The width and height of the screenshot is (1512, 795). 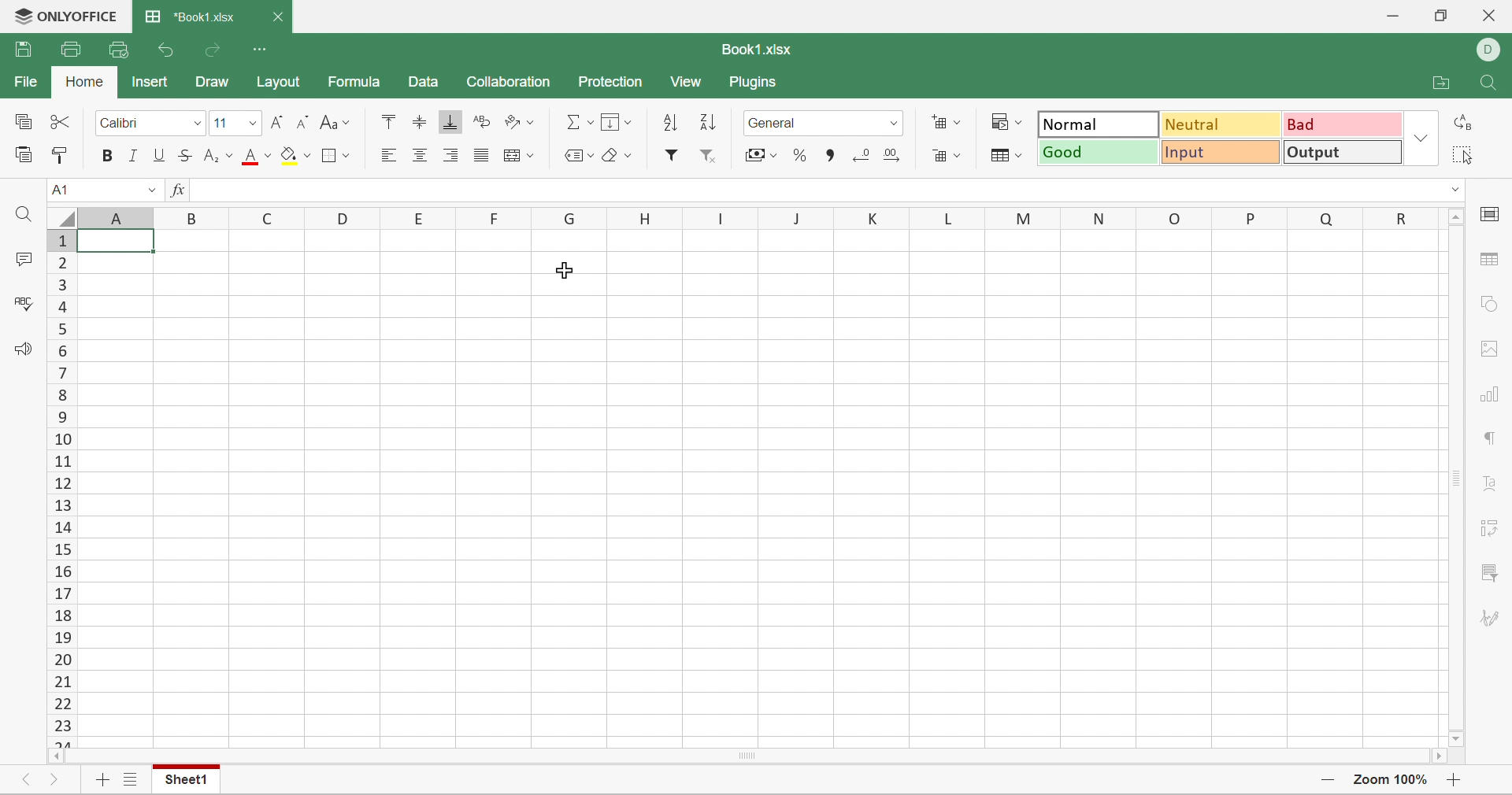 I want to click on Comments, so click(x=20, y=258).